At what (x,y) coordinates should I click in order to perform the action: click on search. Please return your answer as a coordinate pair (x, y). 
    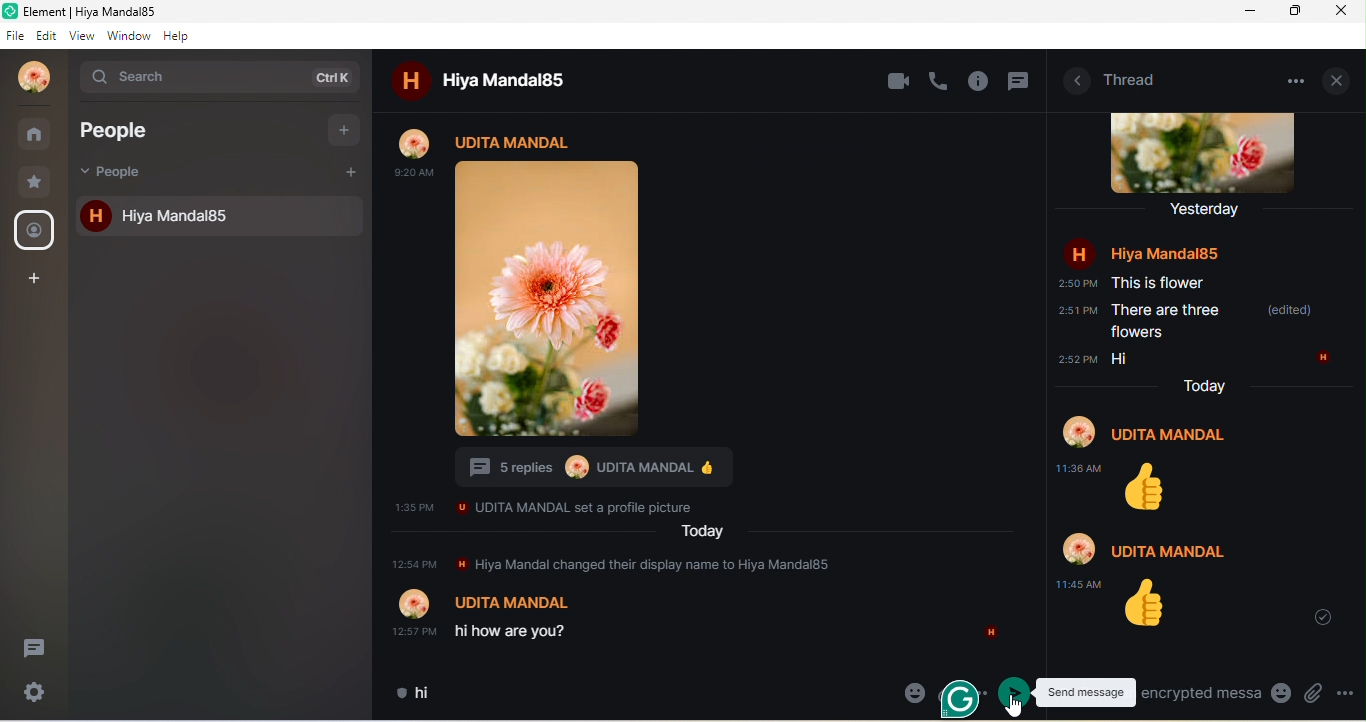
    Looking at the image, I should click on (216, 80).